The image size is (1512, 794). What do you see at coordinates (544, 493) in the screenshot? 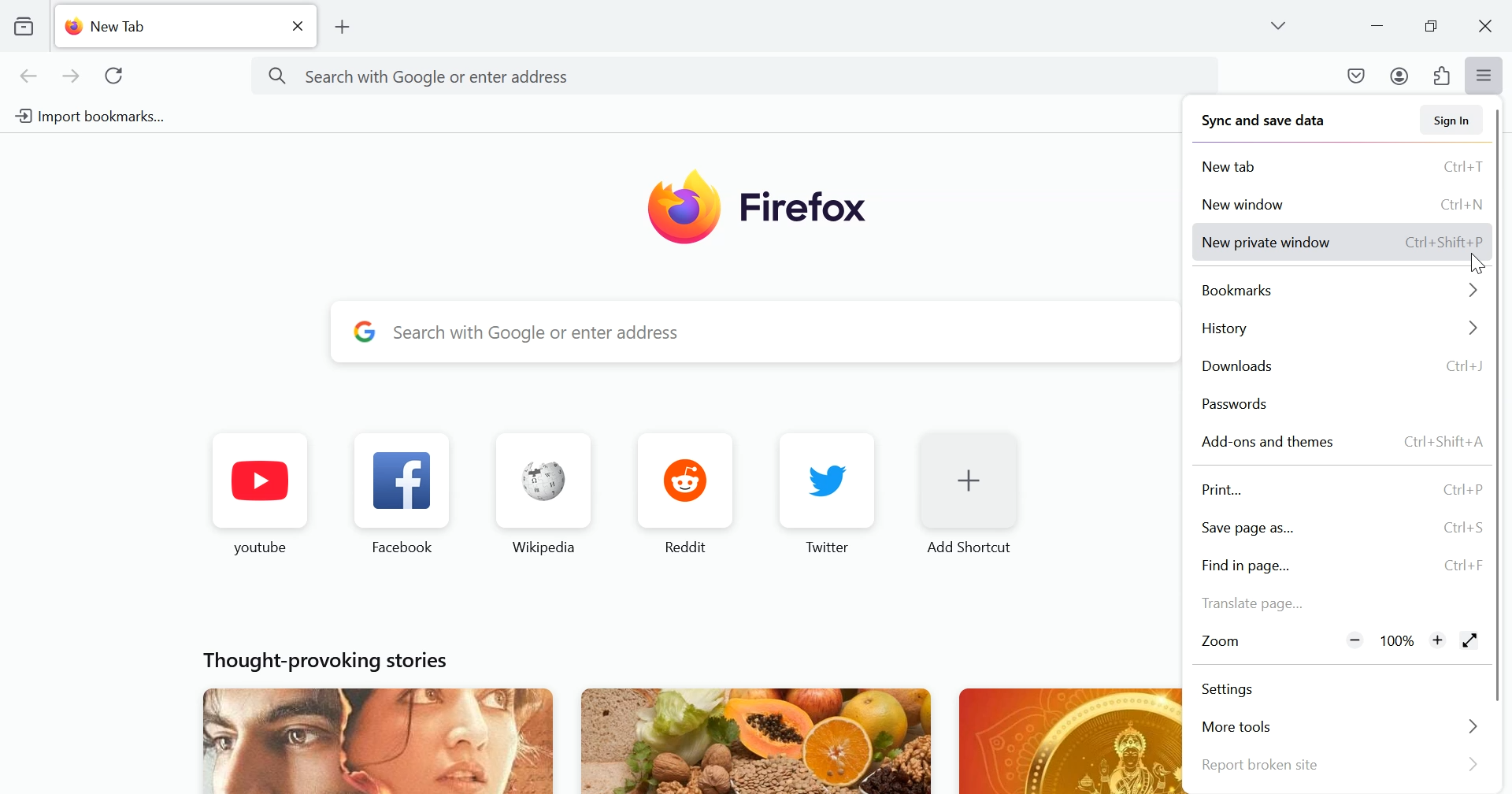
I see `Wikipedia` at bounding box center [544, 493].